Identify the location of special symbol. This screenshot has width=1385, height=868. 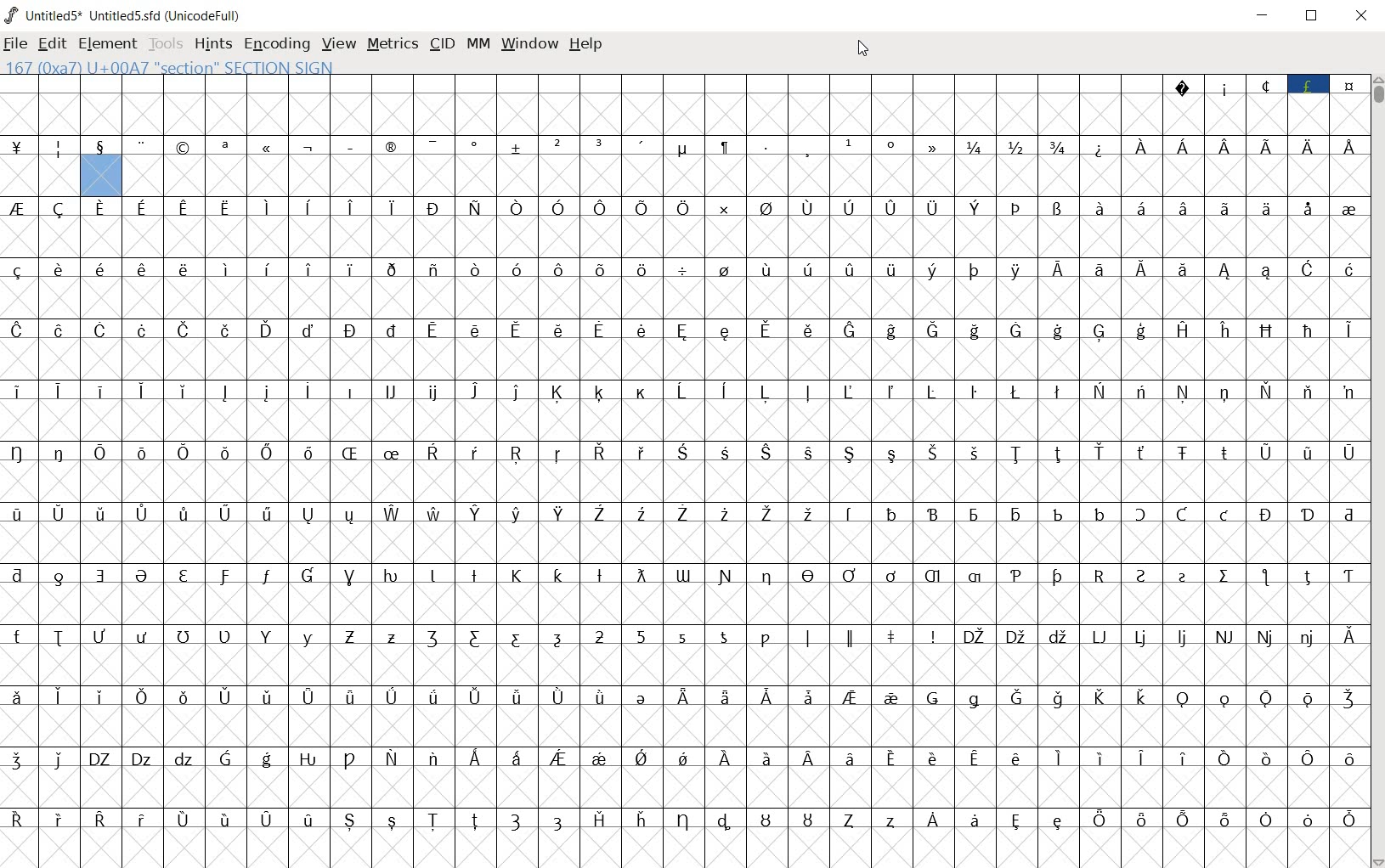
(1100, 147).